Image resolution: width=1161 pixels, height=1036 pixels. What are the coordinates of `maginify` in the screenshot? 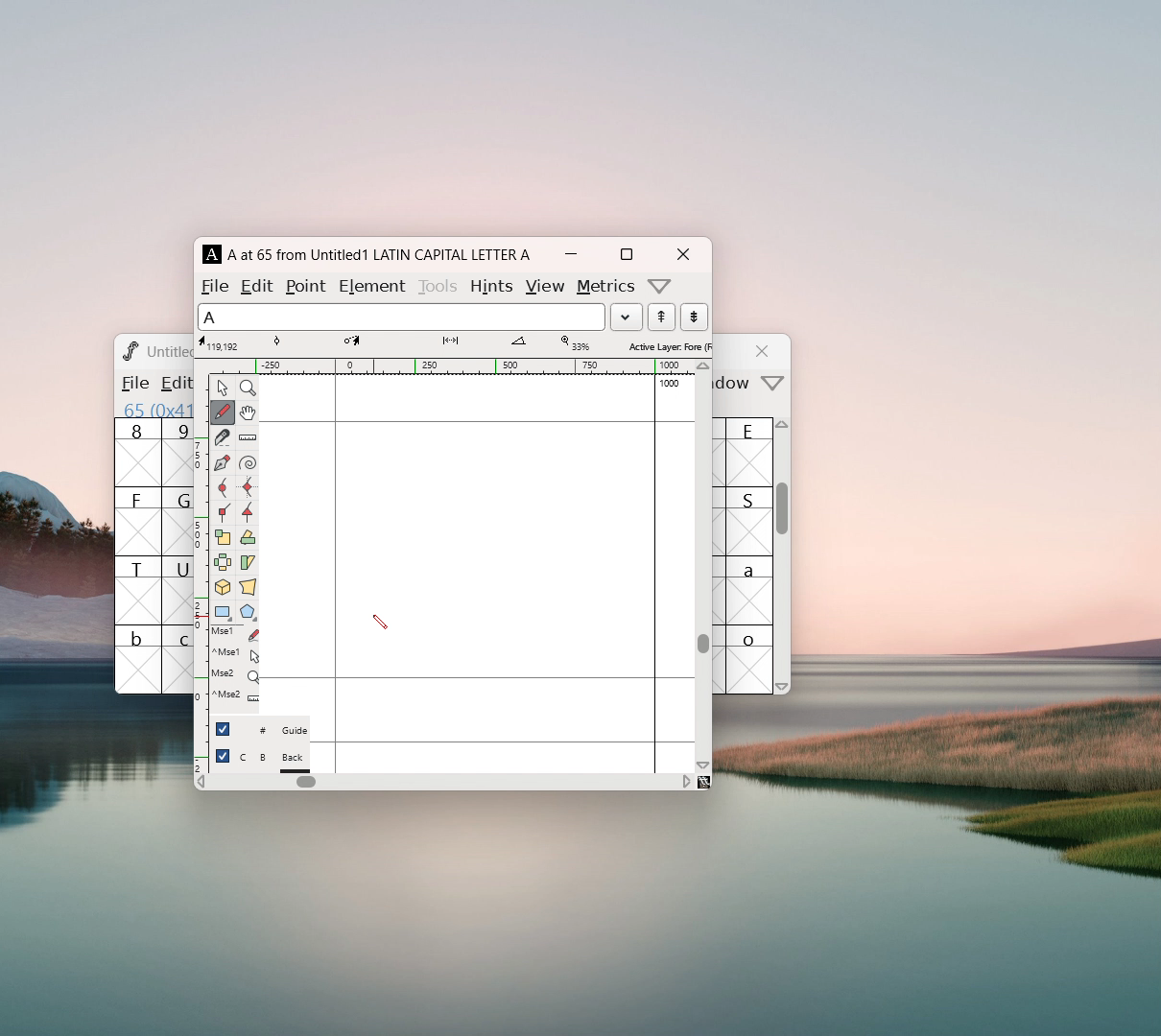 It's located at (248, 388).